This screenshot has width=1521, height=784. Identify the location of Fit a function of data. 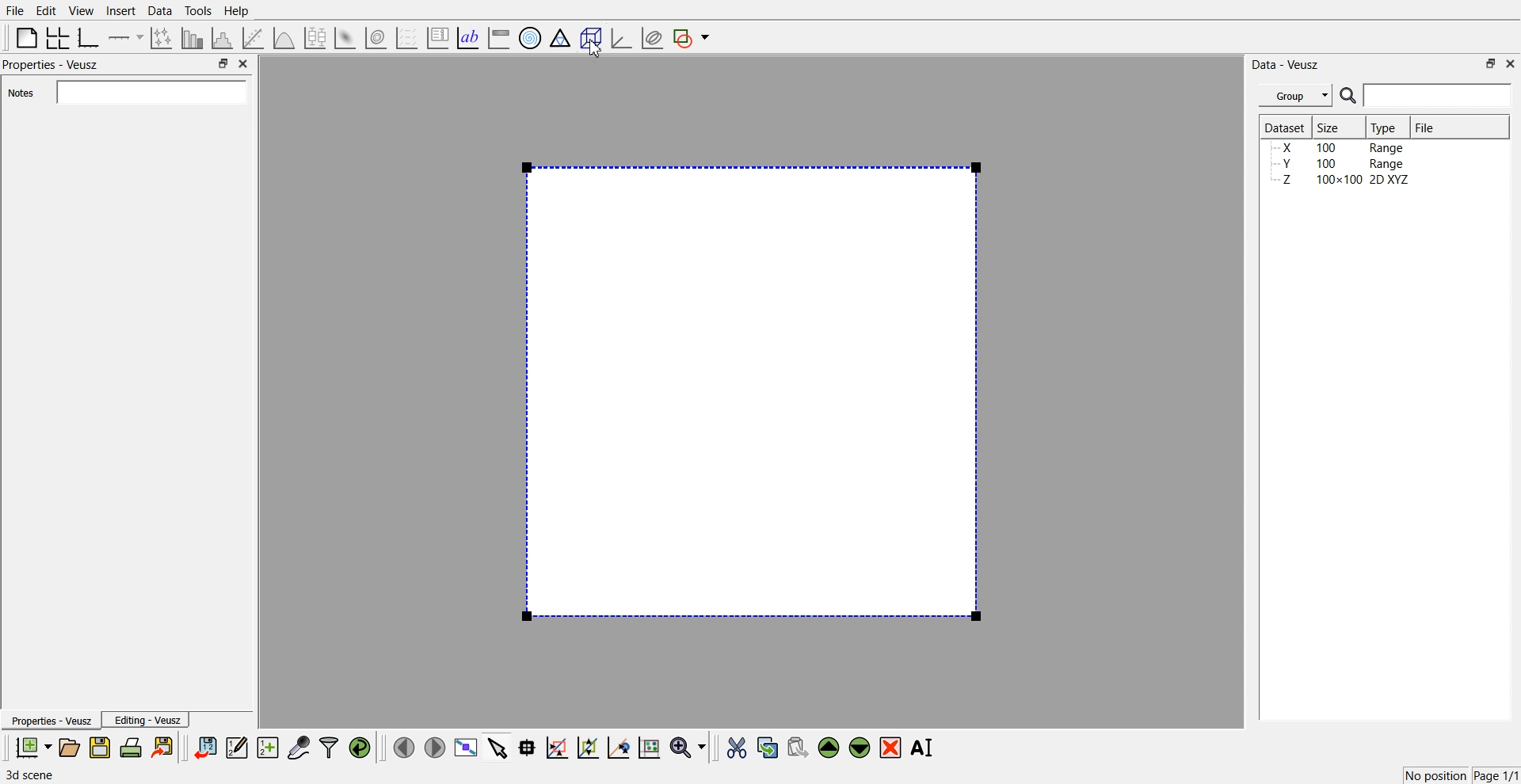
(252, 38).